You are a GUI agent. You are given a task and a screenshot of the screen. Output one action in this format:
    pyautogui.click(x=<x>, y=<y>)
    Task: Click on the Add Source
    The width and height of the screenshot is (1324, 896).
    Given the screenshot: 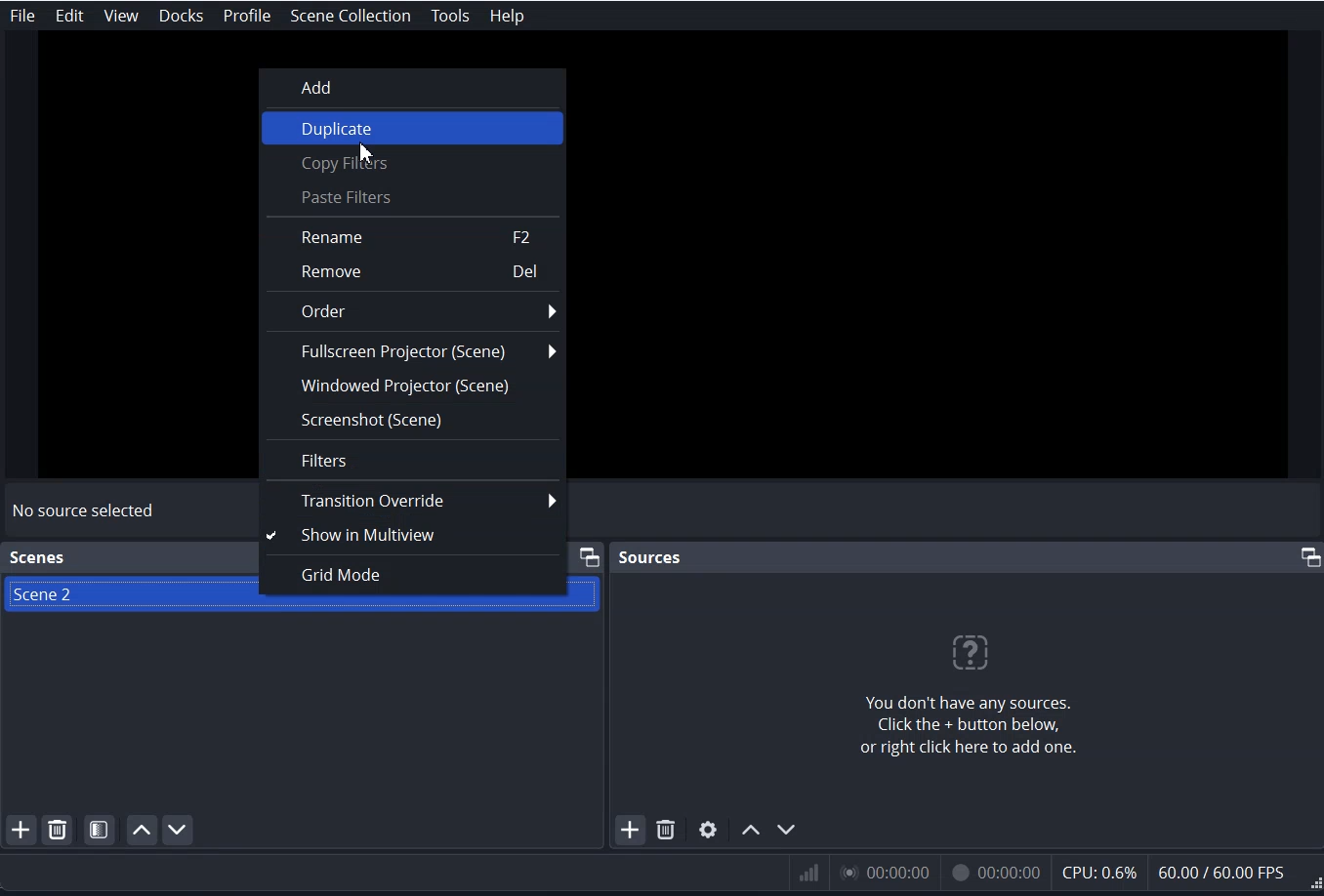 What is the action you would take?
    pyautogui.click(x=630, y=829)
    